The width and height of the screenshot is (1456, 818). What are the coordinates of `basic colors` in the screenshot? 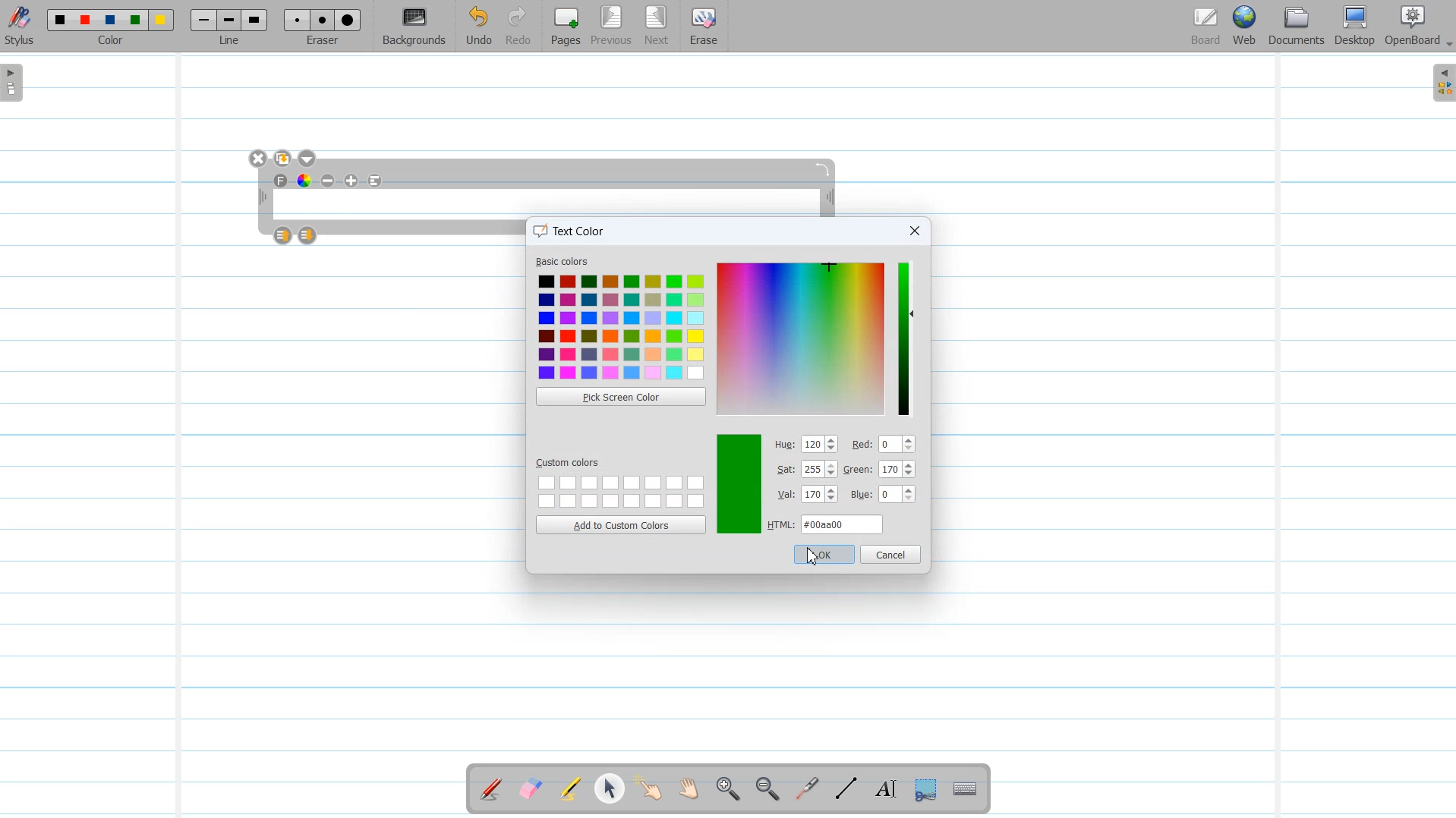 It's located at (564, 263).